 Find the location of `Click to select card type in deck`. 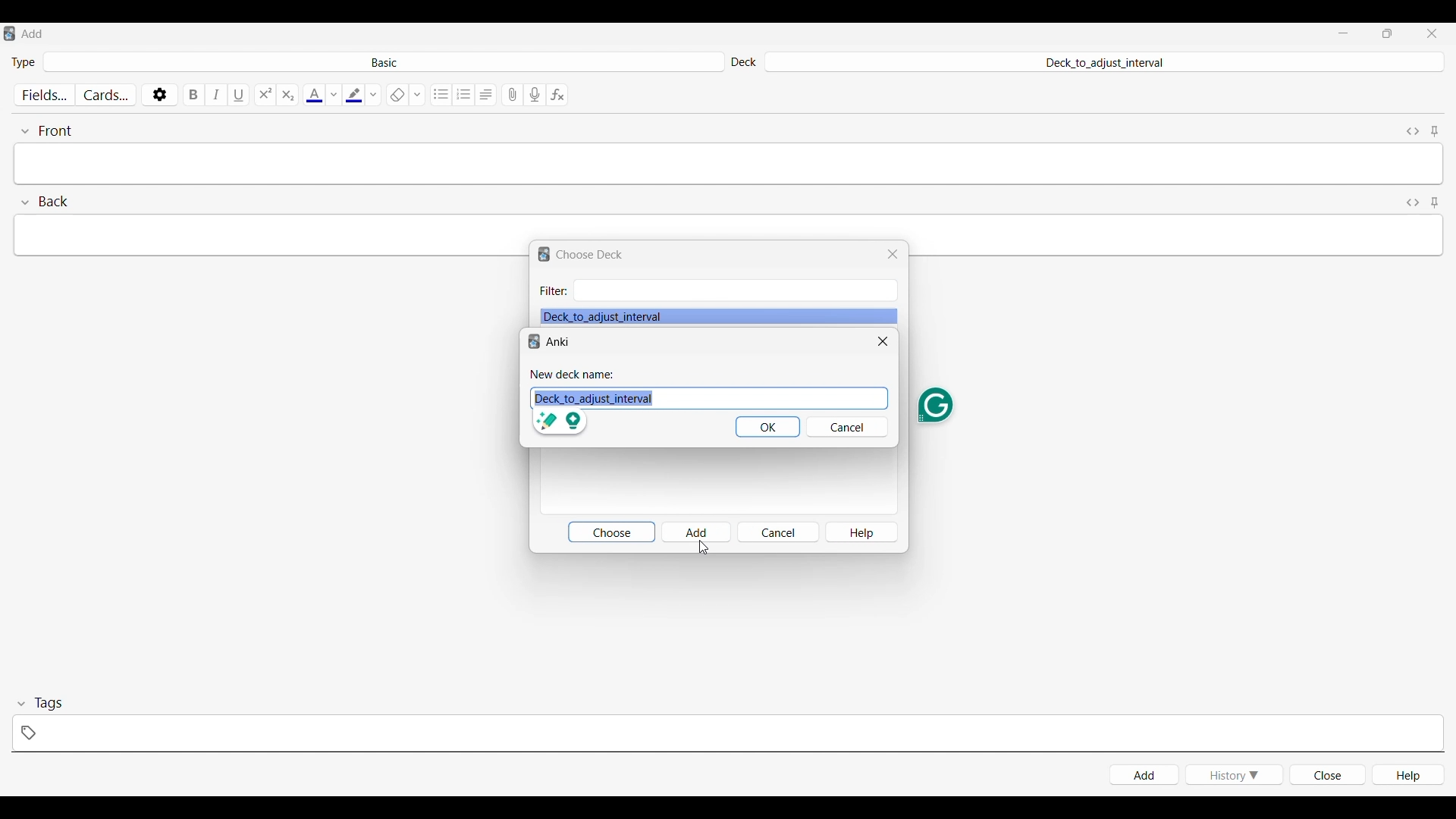

Click to select card type in deck is located at coordinates (384, 61).